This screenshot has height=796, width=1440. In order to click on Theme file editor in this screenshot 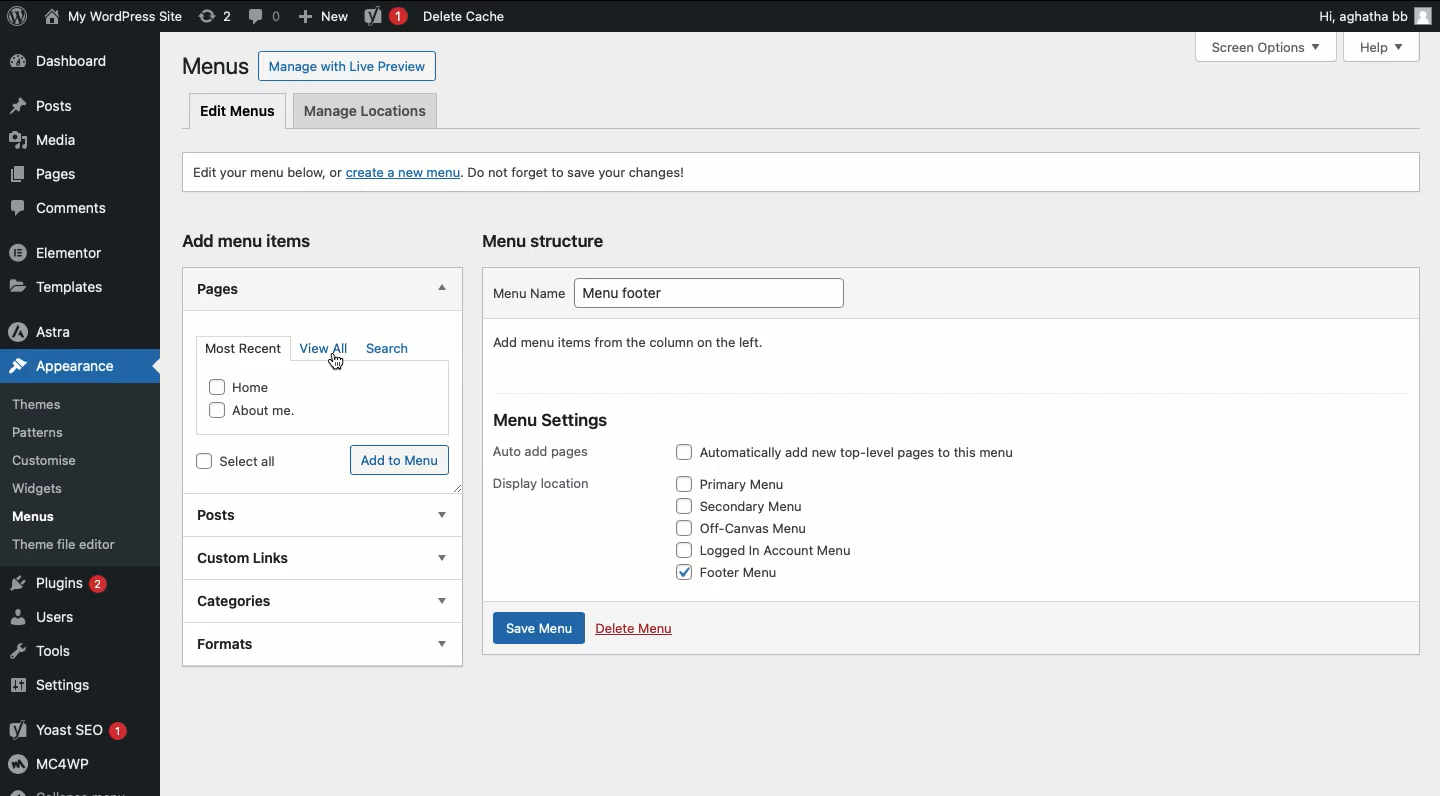, I will do `click(81, 548)`.